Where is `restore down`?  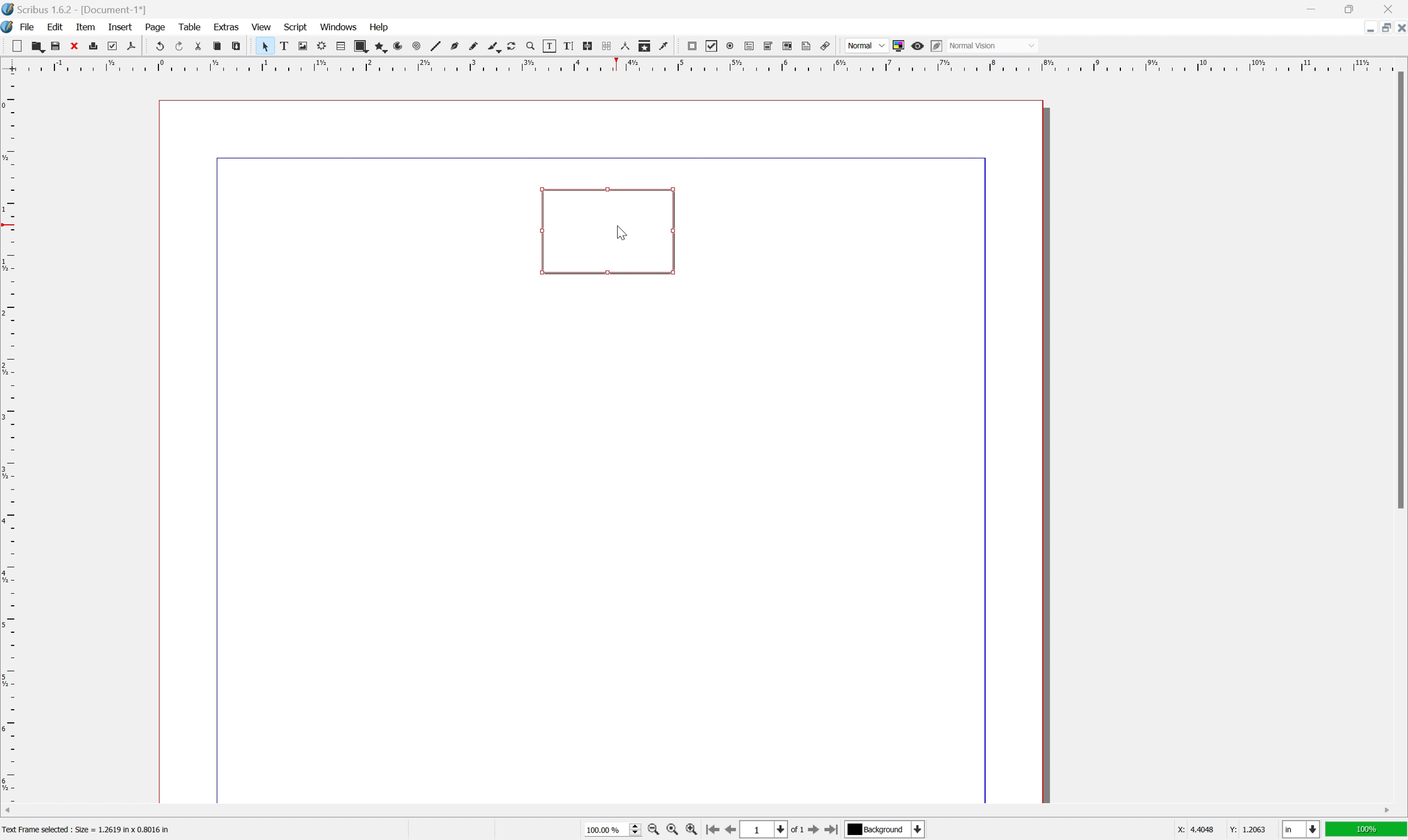 restore down is located at coordinates (1354, 8).